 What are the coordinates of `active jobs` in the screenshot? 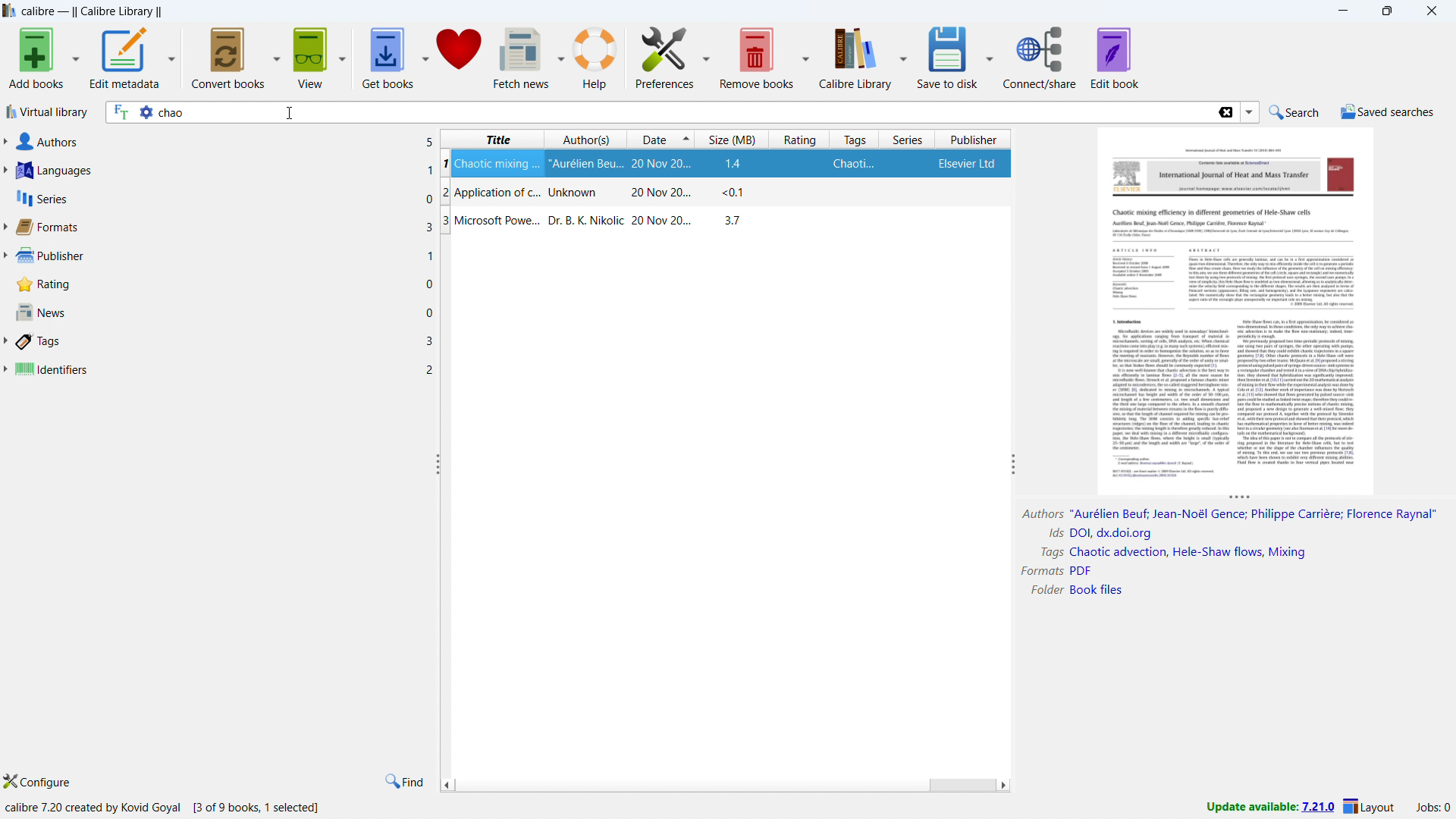 It's located at (1434, 808).